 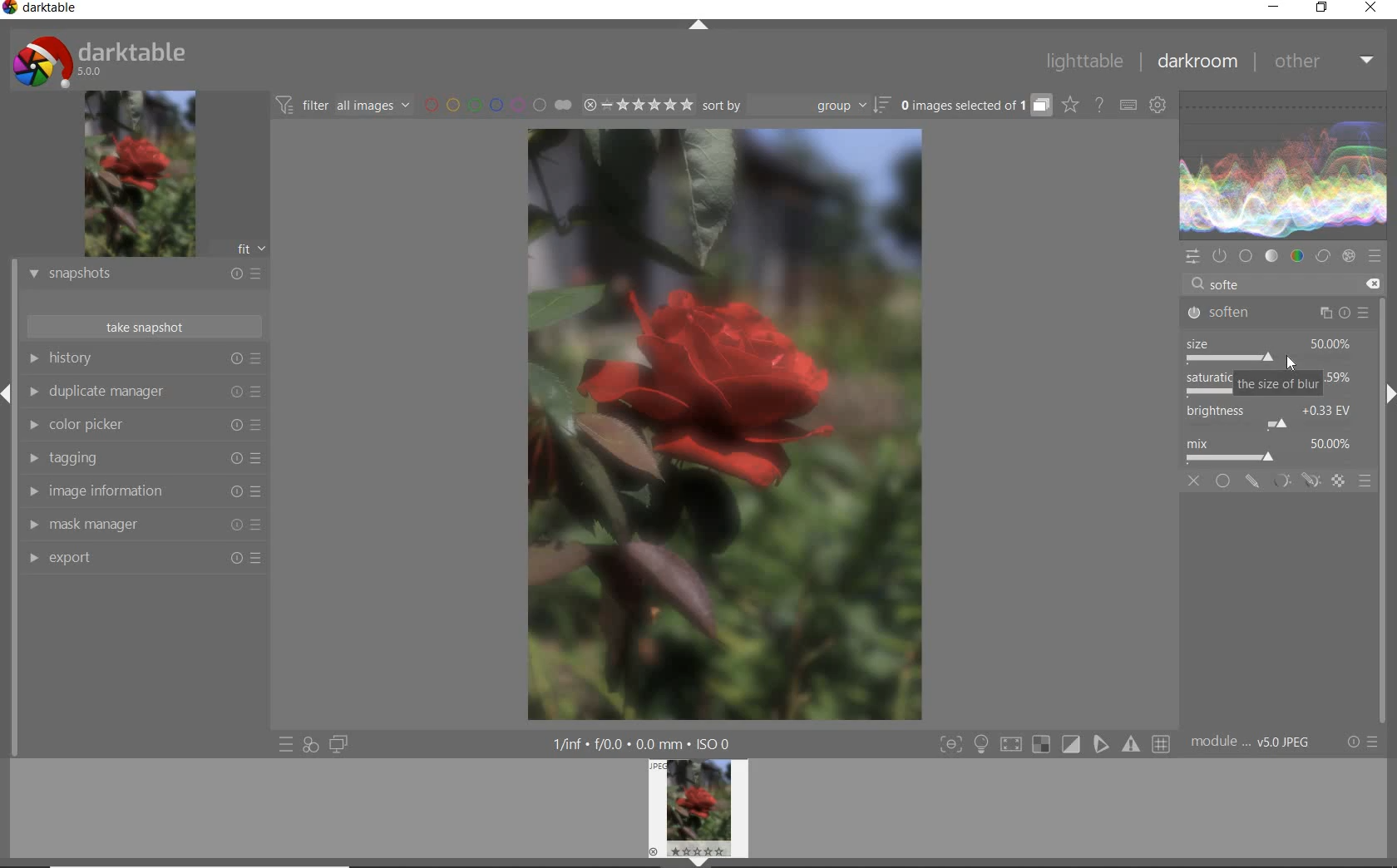 What do you see at coordinates (1100, 105) in the screenshot?
I see `enable online help` at bounding box center [1100, 105].